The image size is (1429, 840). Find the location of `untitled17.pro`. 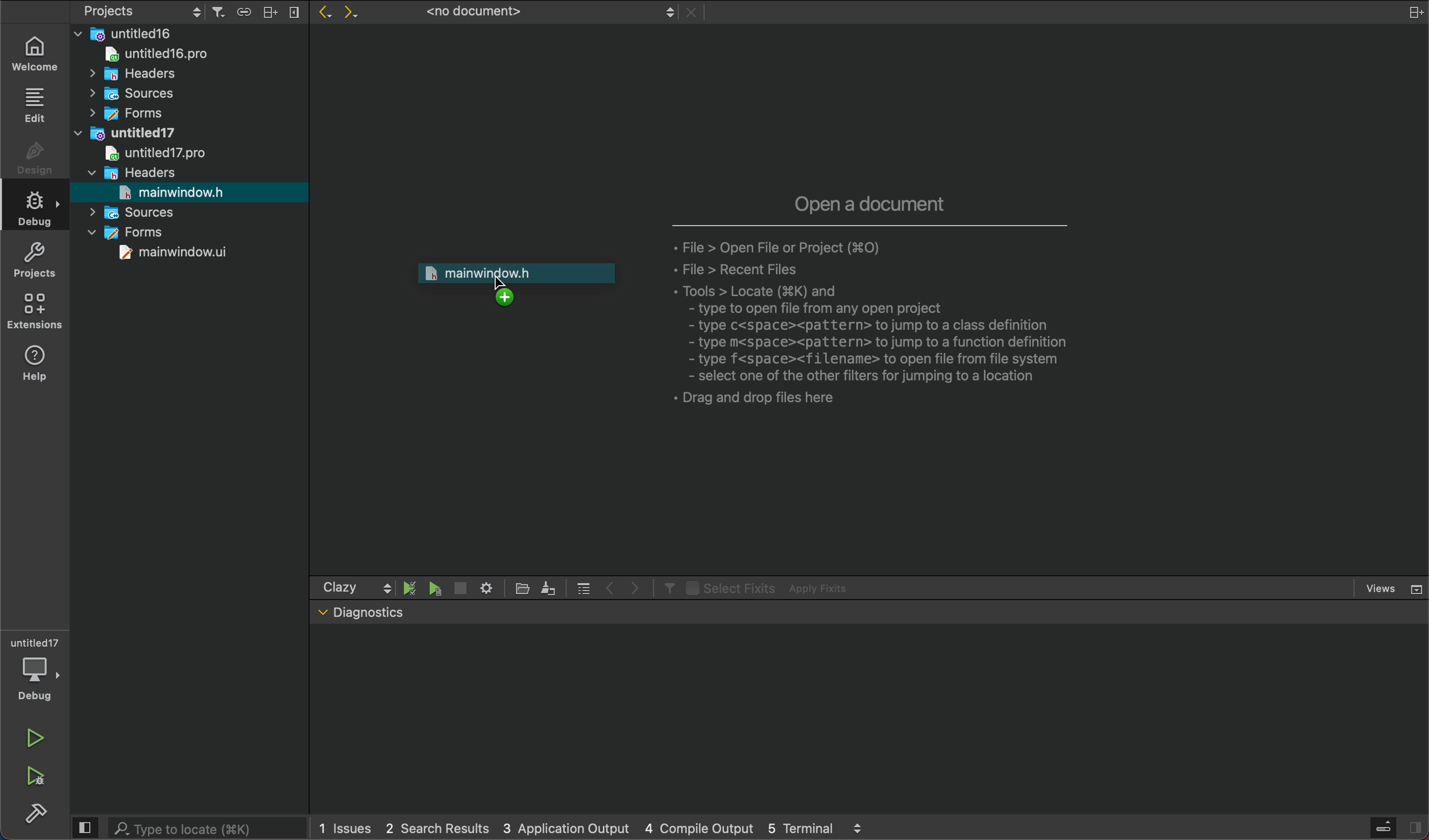

untitled17.pro is located at coordinates (152, 153).